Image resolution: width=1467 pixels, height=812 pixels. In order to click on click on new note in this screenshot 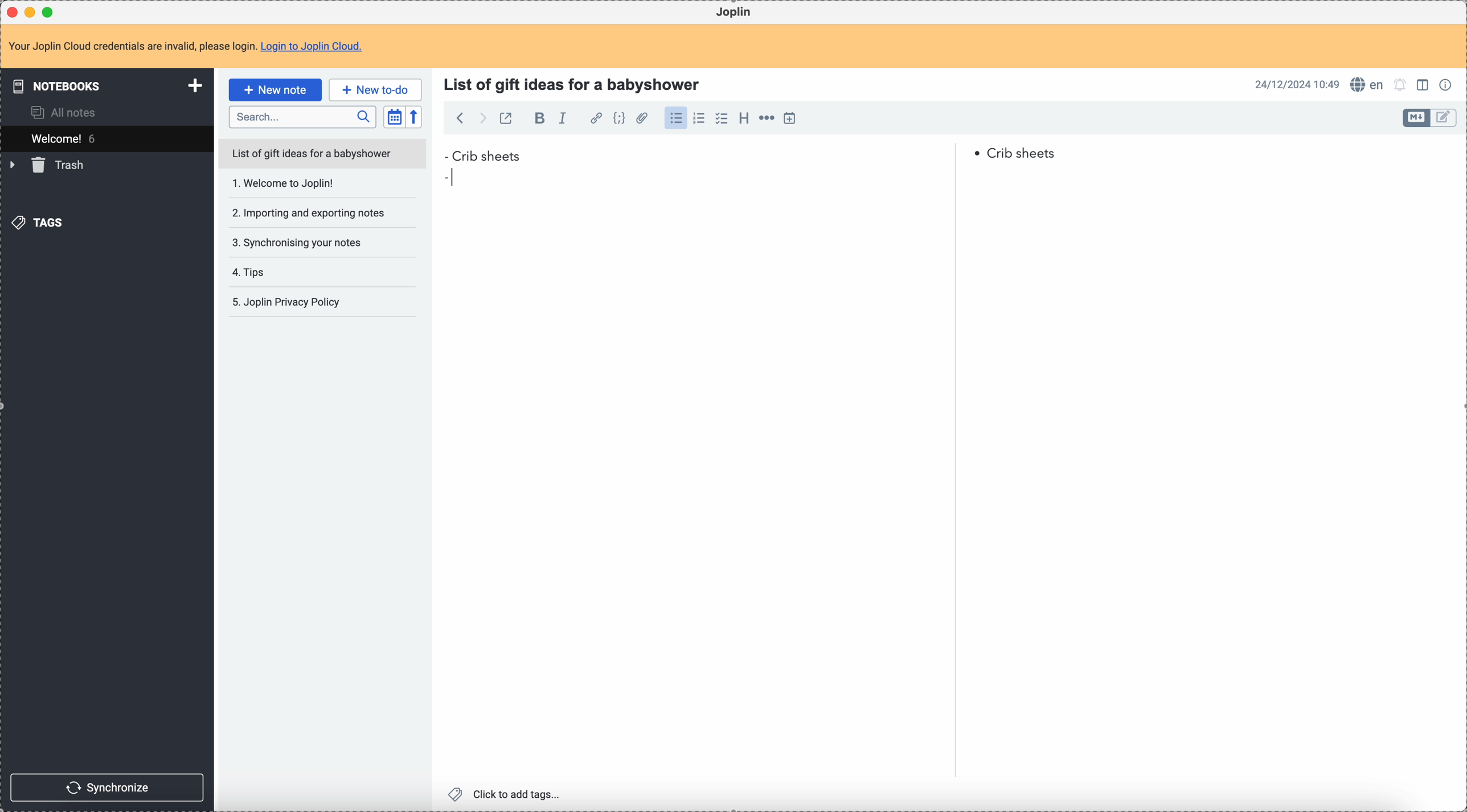, I will do `click(274, 90)`.